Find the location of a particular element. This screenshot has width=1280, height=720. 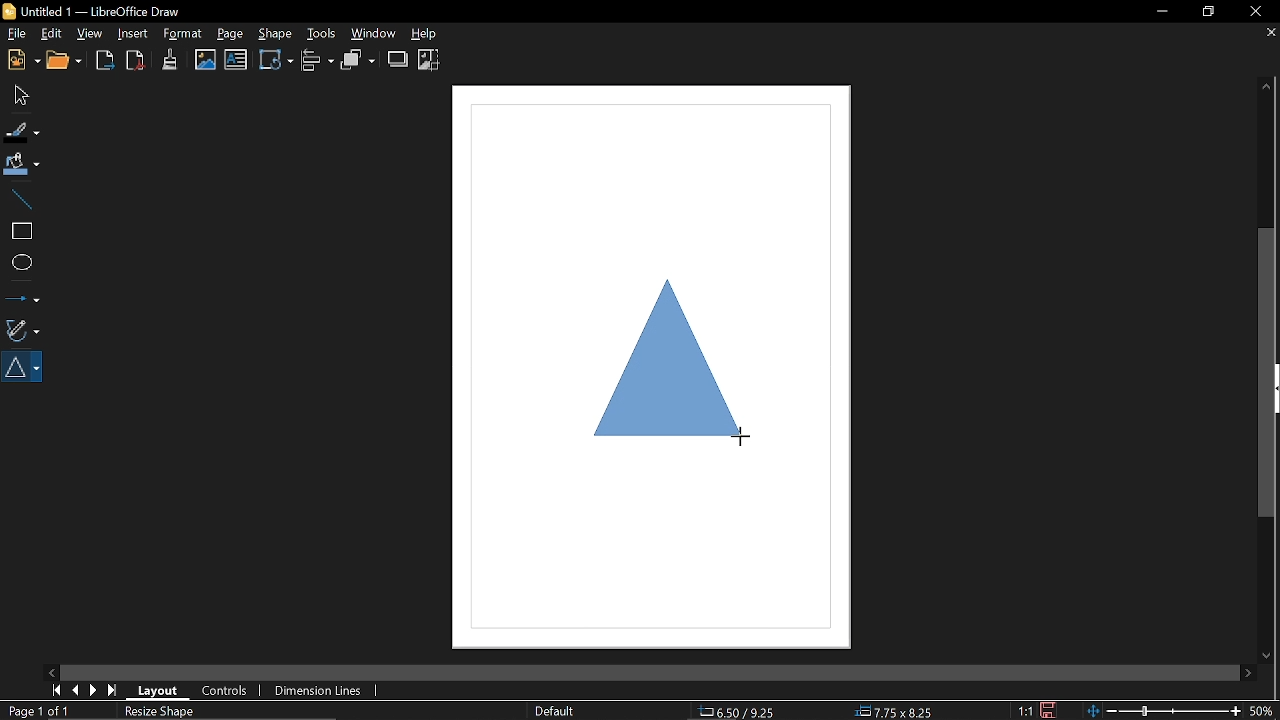

Insert is located at coordinates (133, 34).